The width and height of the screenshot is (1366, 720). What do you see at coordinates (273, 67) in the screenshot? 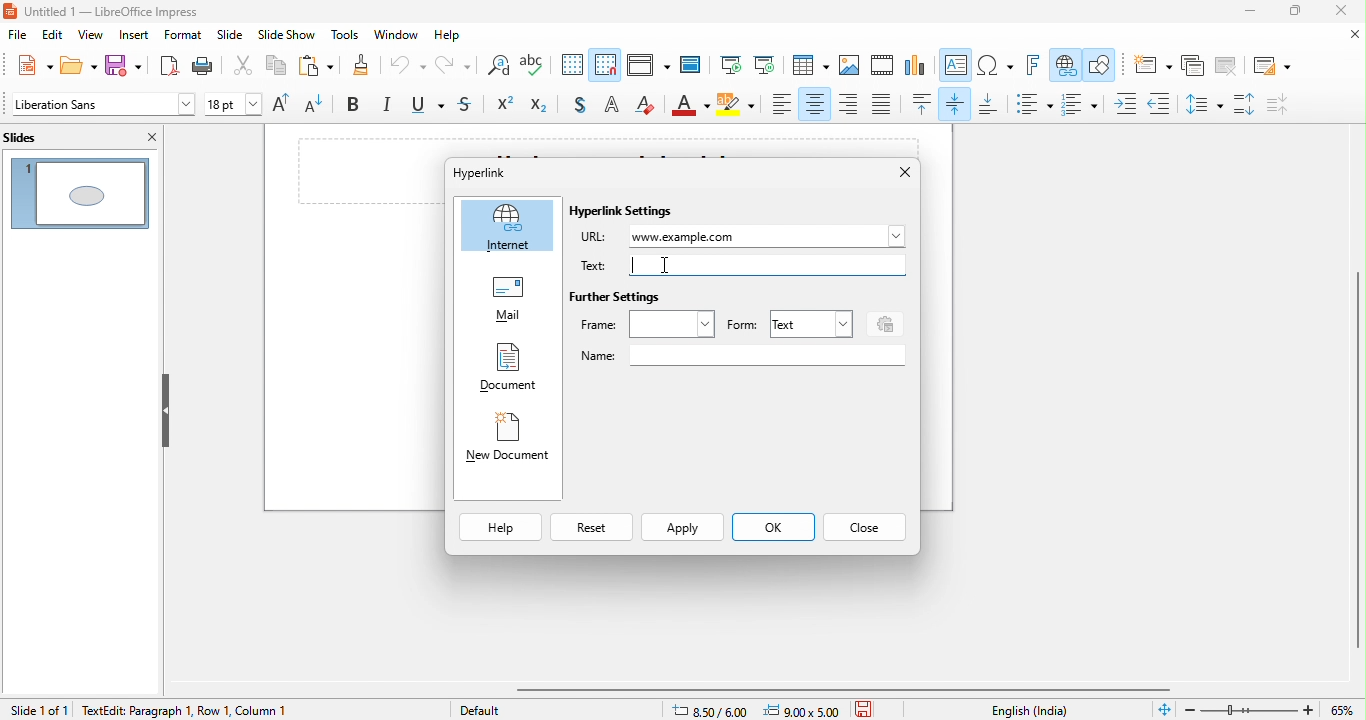
I see `copy` at bounding box center [273, 67].